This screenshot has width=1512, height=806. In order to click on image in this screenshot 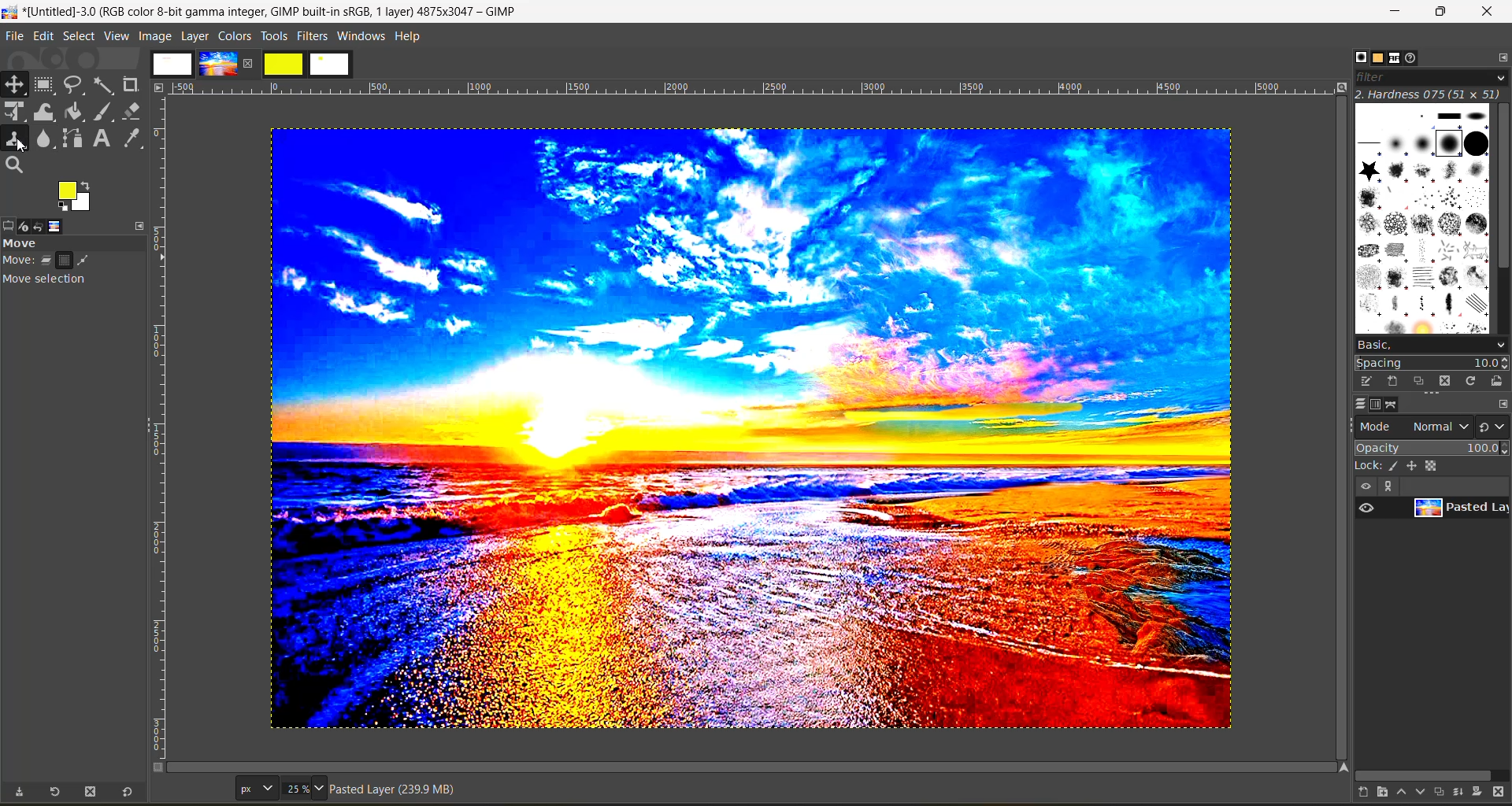, I will do `click(217, 64)`.